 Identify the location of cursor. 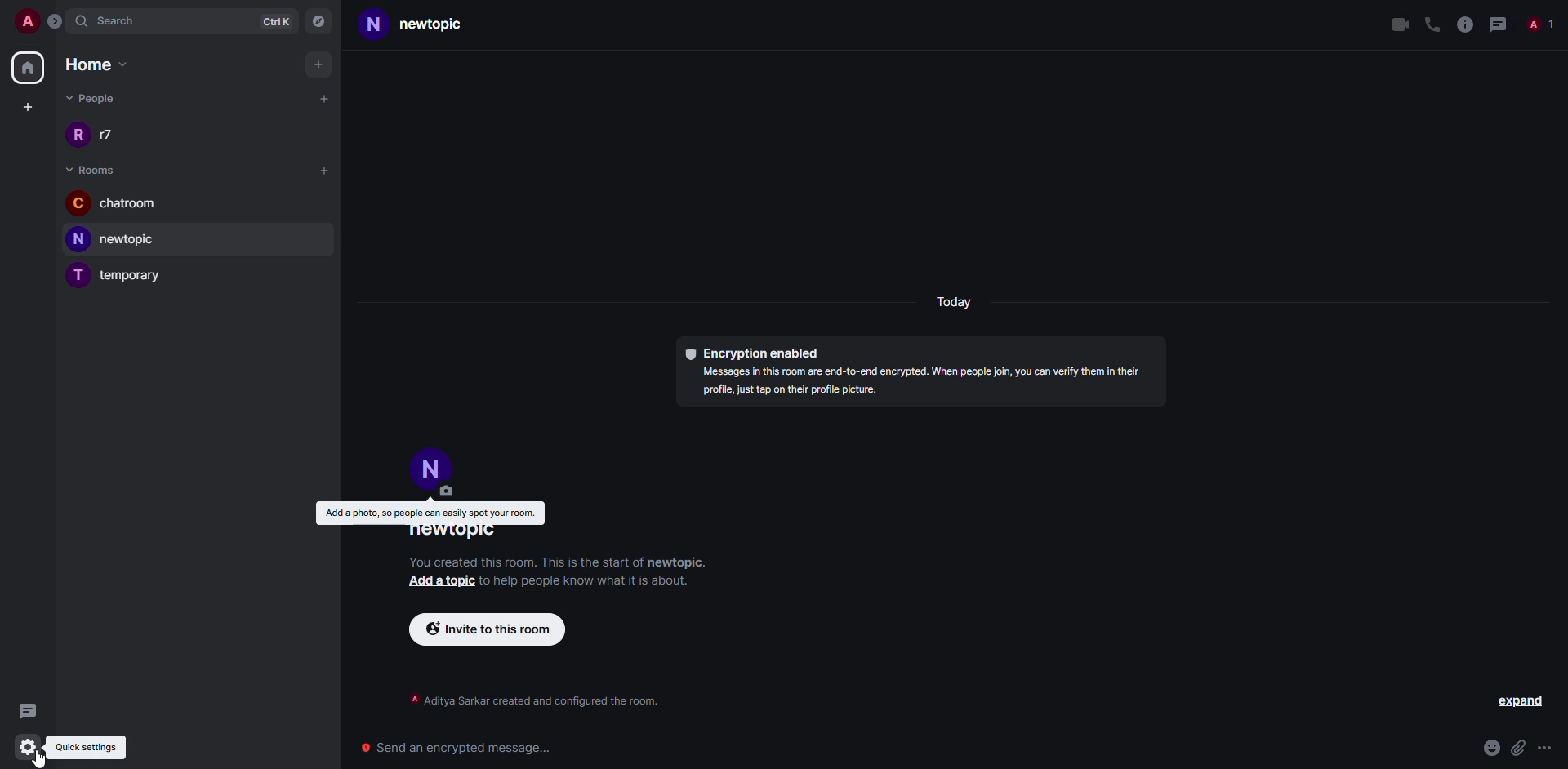
(38, 758).